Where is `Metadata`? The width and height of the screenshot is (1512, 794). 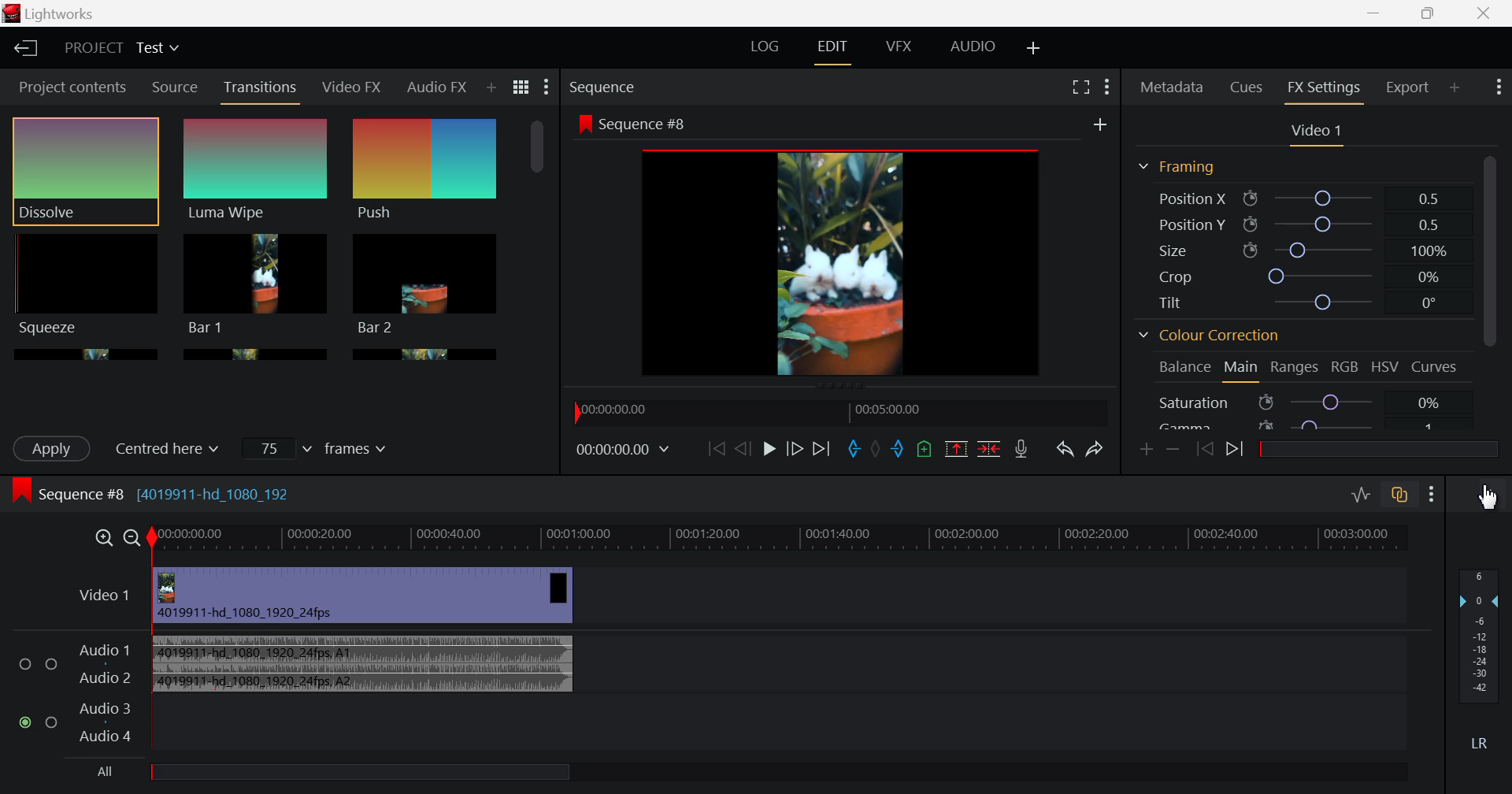 Metadata is located at coordinates (1172, 87).